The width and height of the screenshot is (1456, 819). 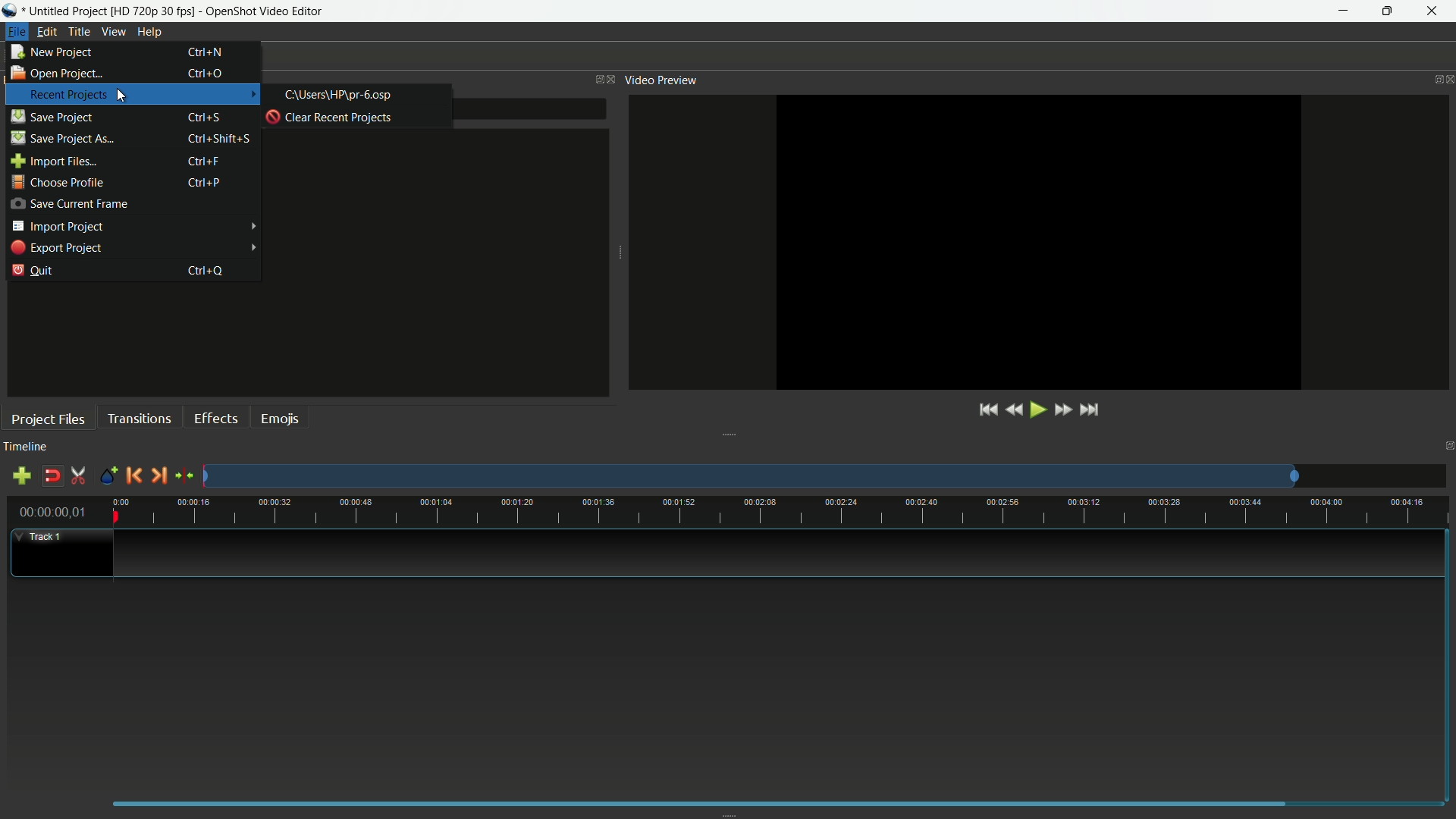 I want to click on profile, so click(x=152, y=11).